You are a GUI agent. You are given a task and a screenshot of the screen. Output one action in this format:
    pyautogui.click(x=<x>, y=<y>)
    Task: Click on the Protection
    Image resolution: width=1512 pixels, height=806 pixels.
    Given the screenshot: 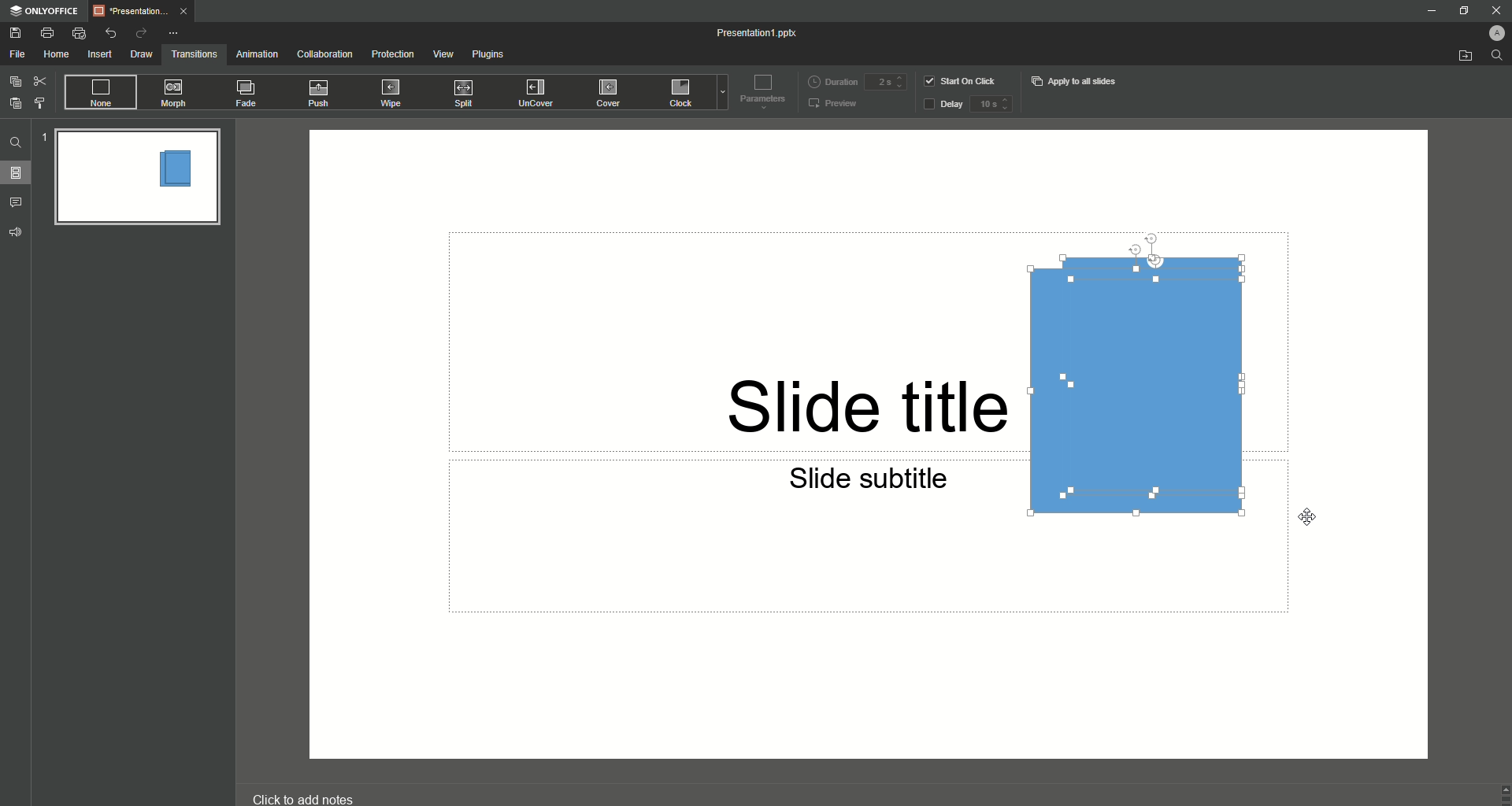 What is the action you would take?
    pyautogui.click(x=394, y=54)
    